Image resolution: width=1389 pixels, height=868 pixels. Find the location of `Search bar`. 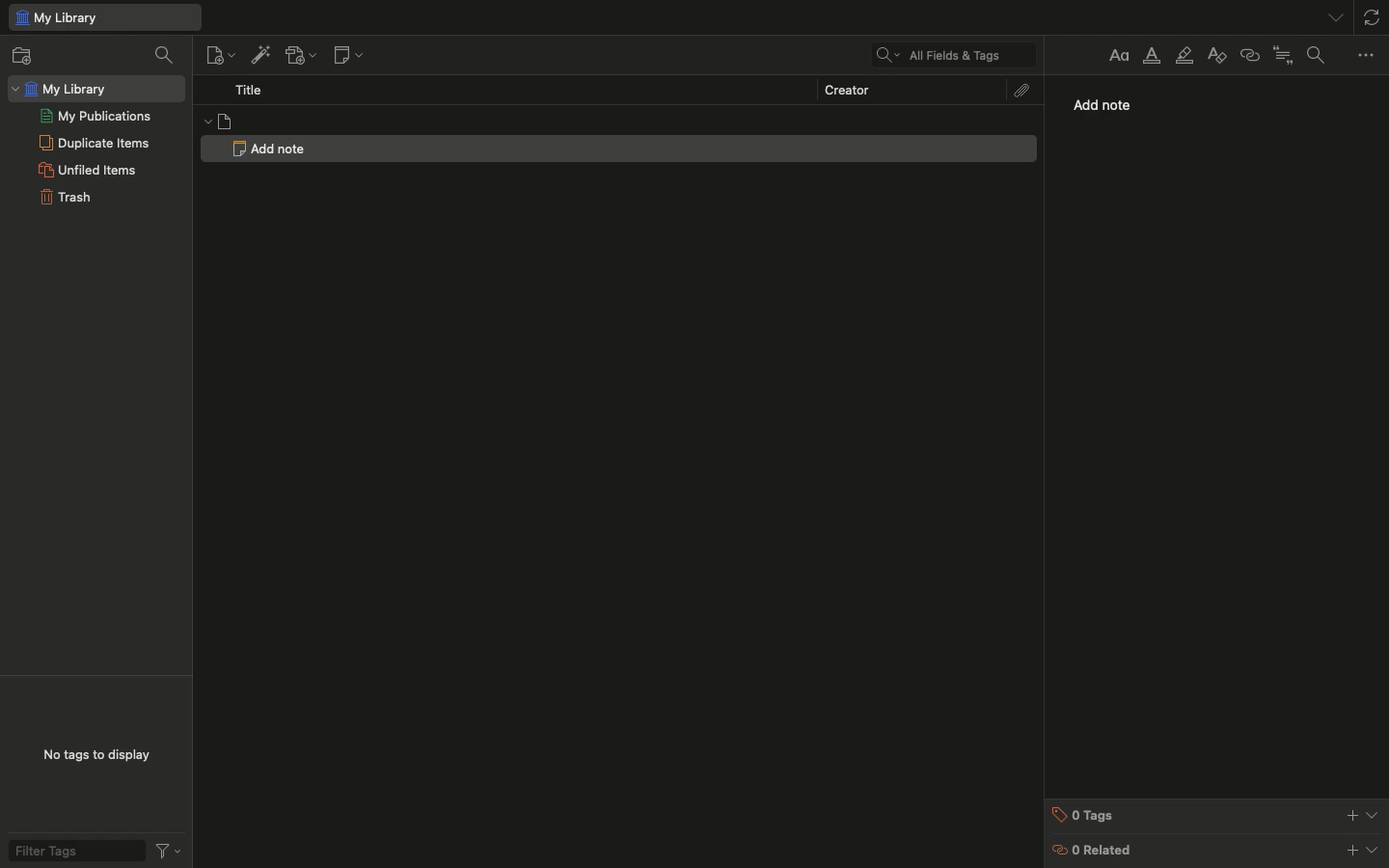

Search bar is located at coordinates (947, 54).